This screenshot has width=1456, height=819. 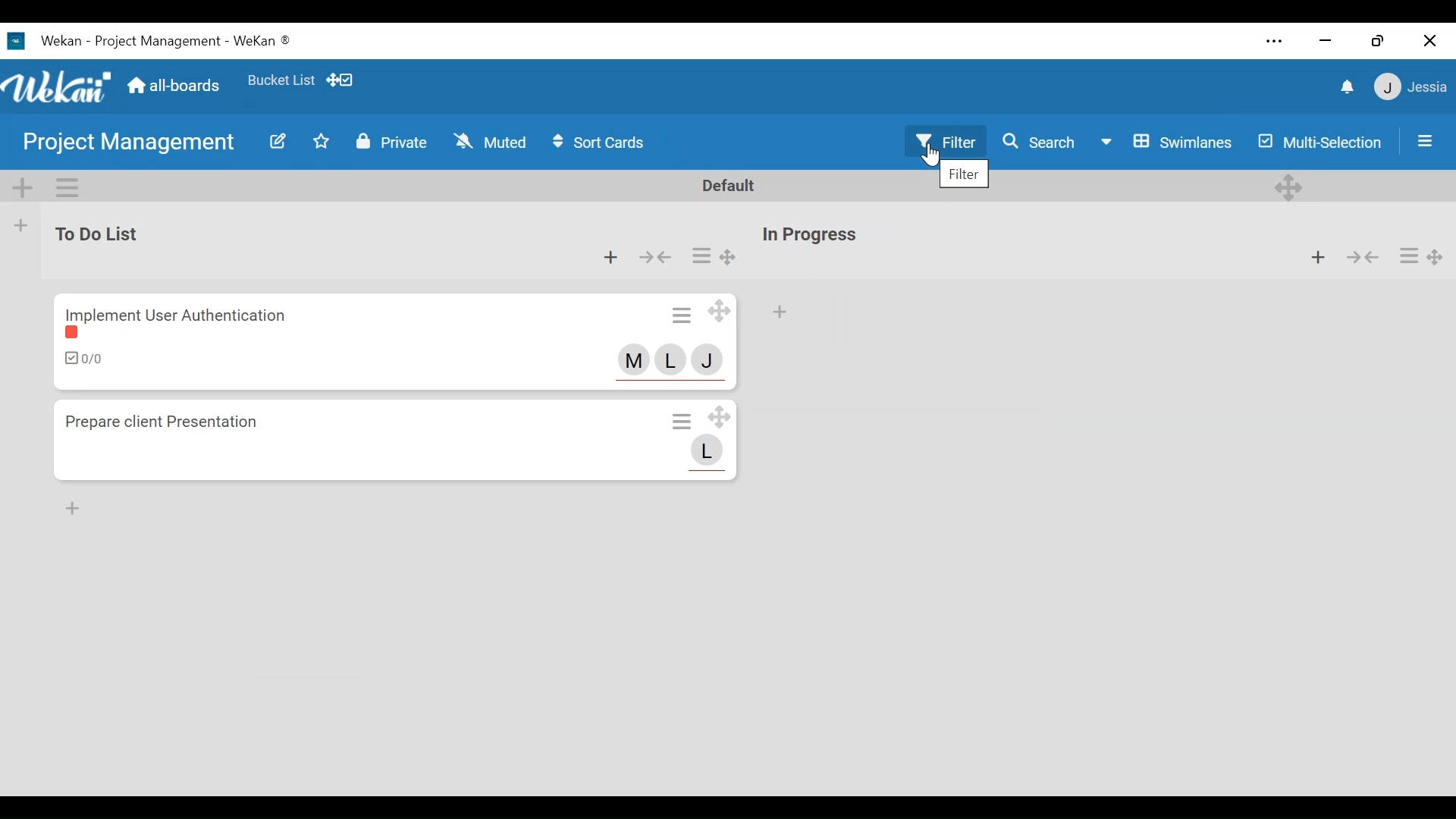 What do you see at coordinates (1403, 259) in the screenshot?
I see `card actions` at bounding box center [1403, 259].